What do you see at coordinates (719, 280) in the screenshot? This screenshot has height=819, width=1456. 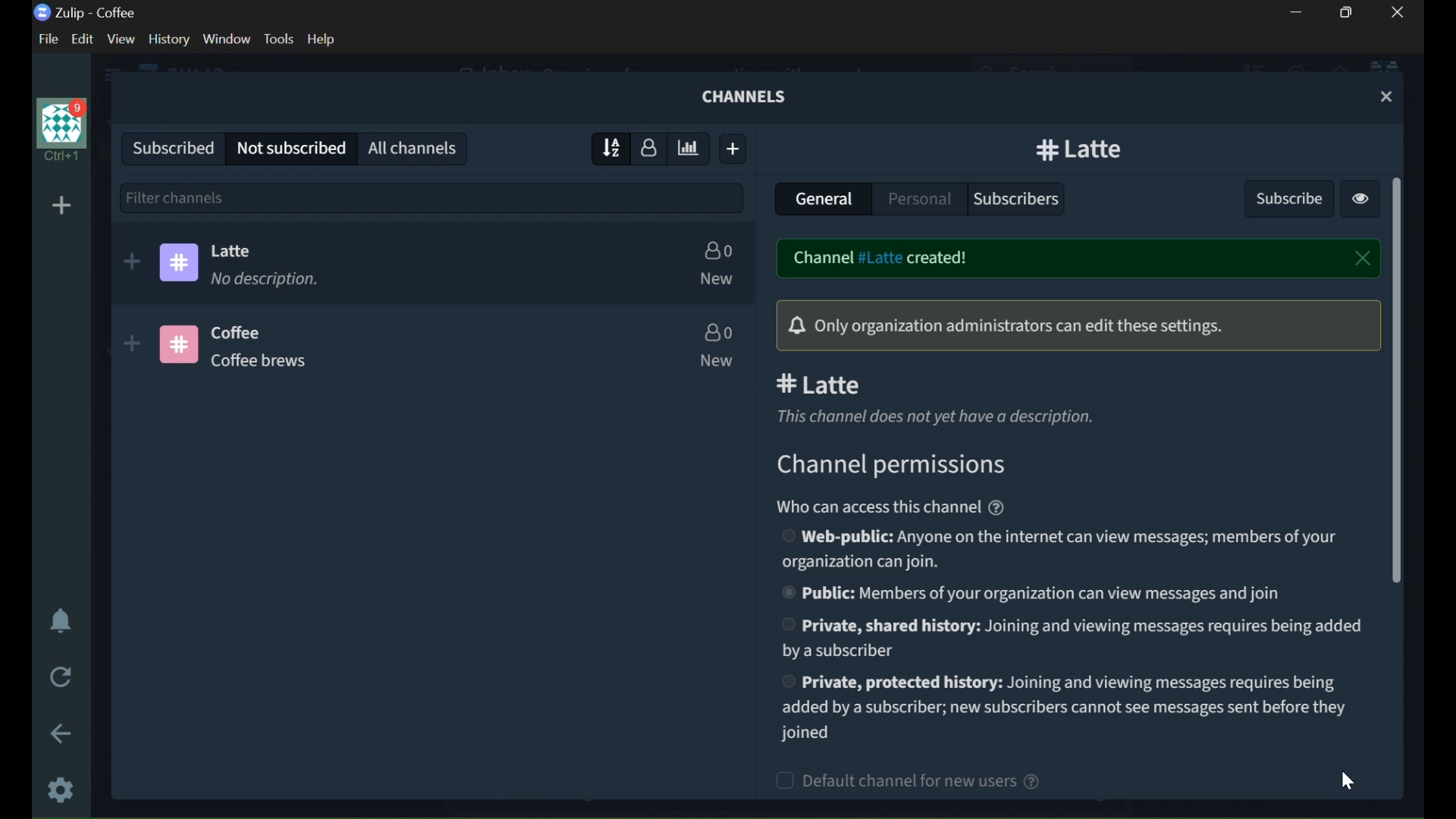 I see `NEW` at bounding box center [719, 280].